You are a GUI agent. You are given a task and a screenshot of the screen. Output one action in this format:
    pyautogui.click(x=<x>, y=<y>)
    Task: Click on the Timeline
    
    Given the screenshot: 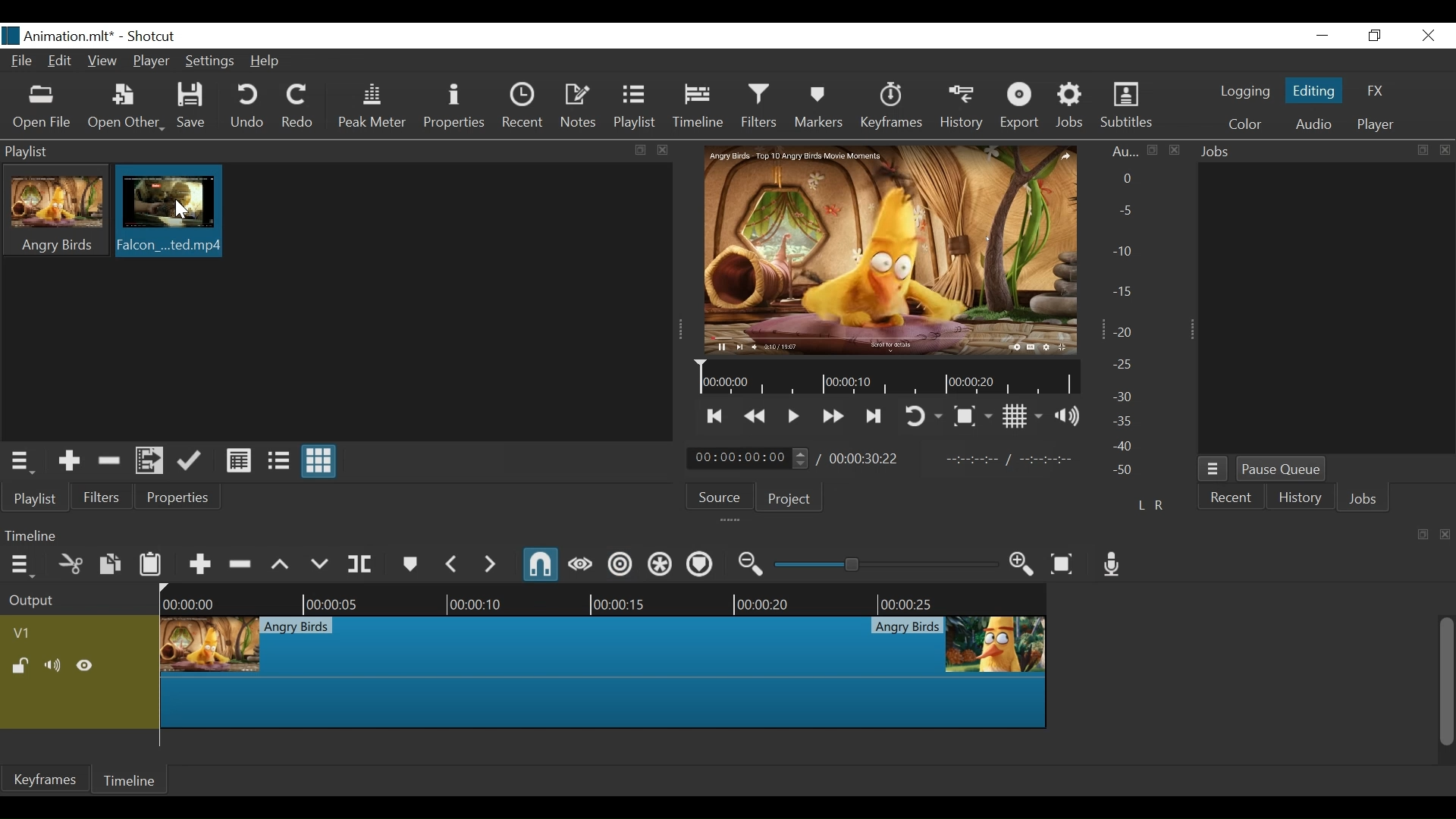 What is the action you would take?
    pyautogui.click(x=700, y=107)
    